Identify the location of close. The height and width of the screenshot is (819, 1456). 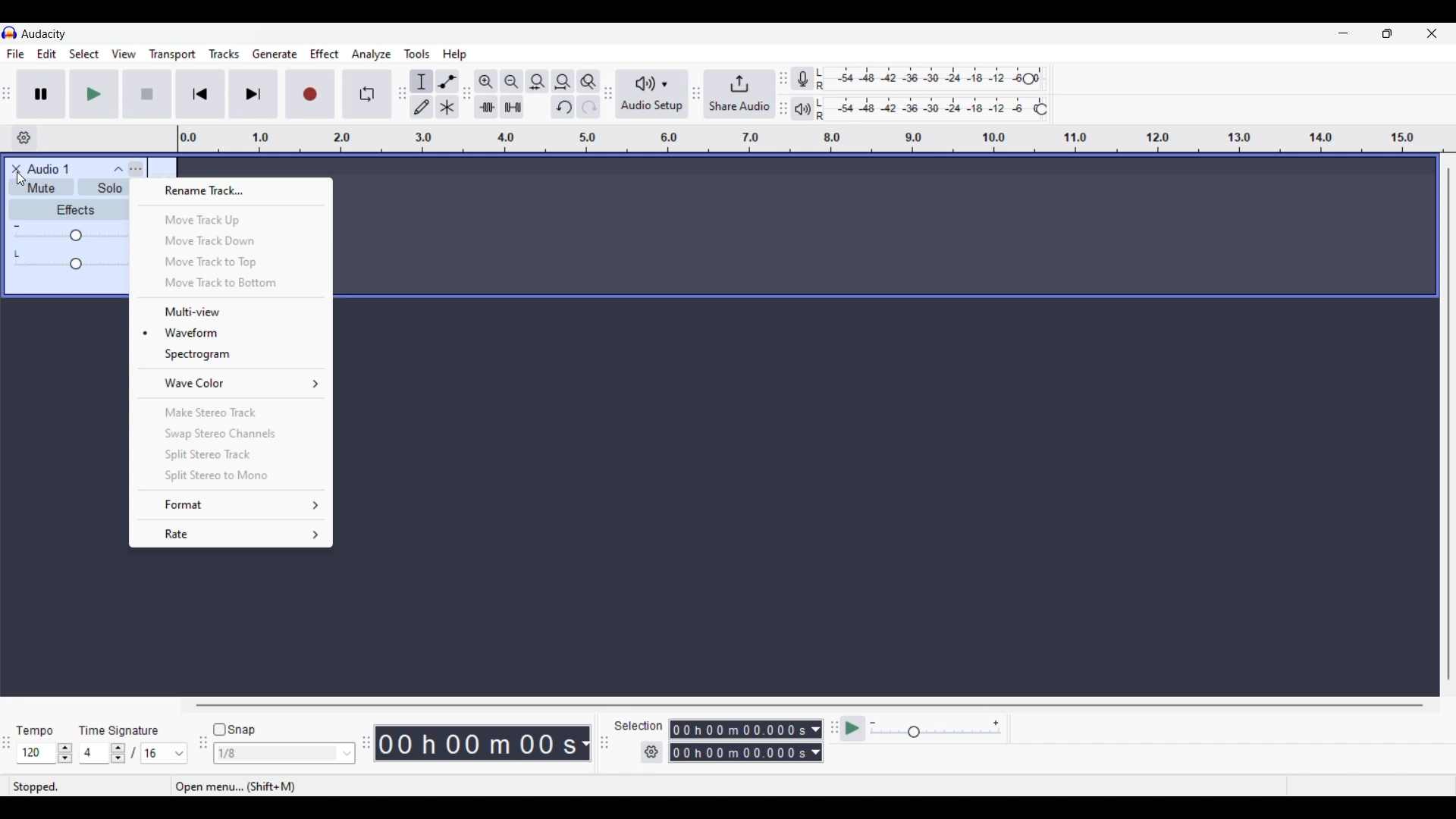
(14, 168).